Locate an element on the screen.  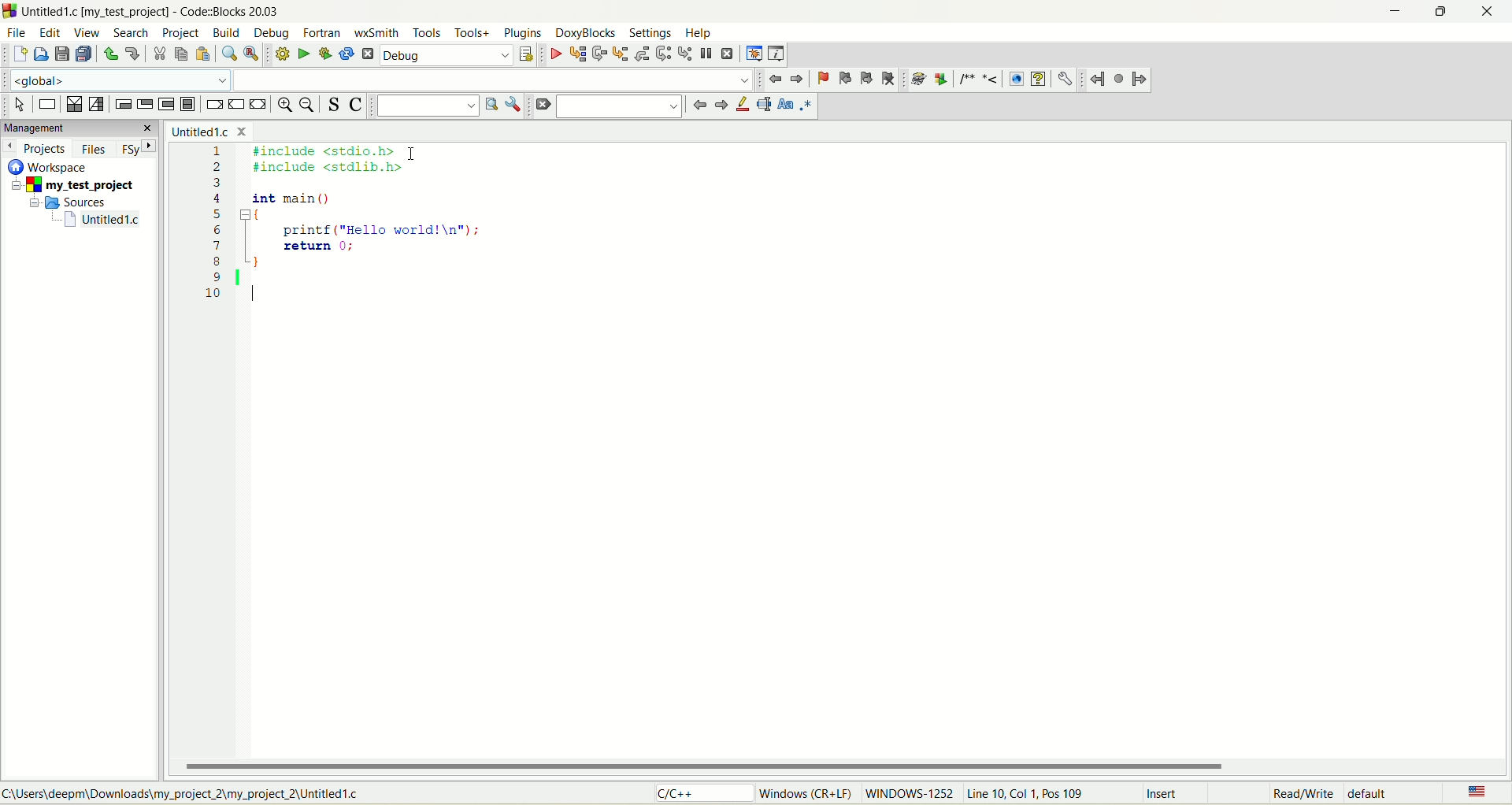
return instruction is located at coordinates (261, 104).